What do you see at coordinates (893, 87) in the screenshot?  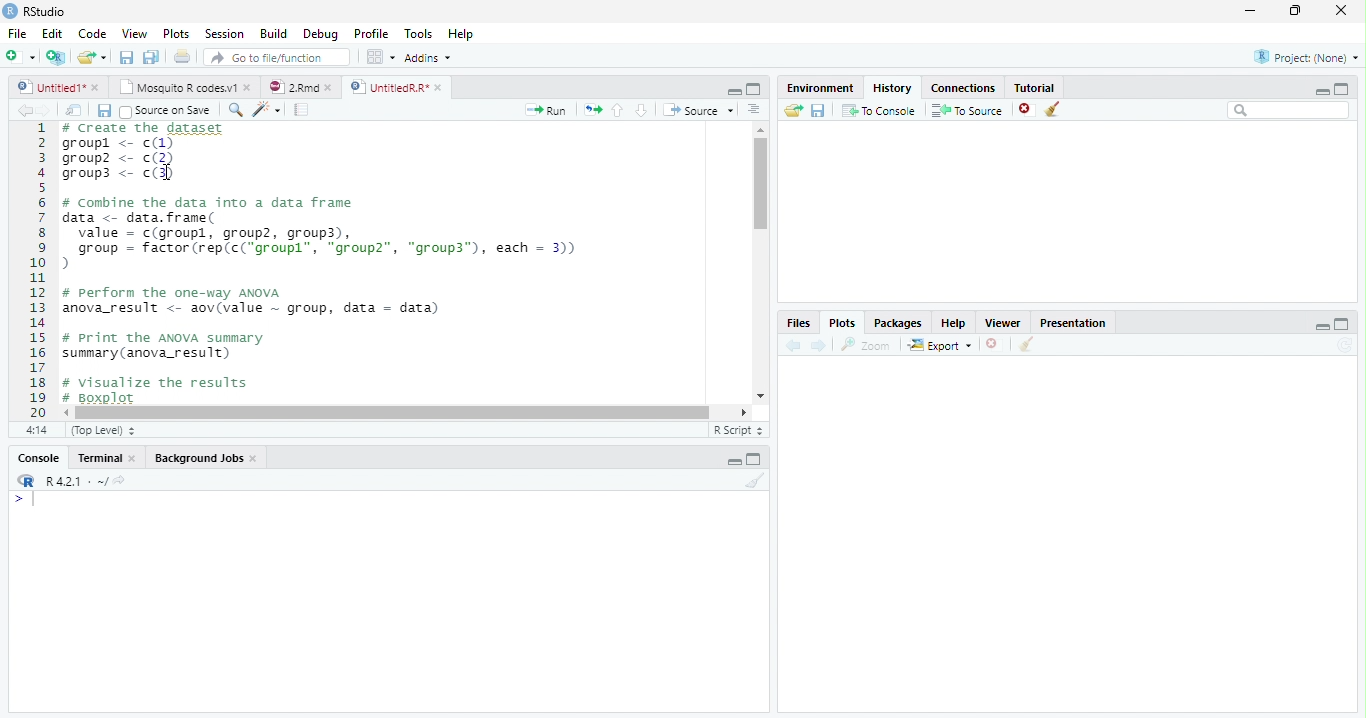 I see `History` at bounding box center [893, 87].